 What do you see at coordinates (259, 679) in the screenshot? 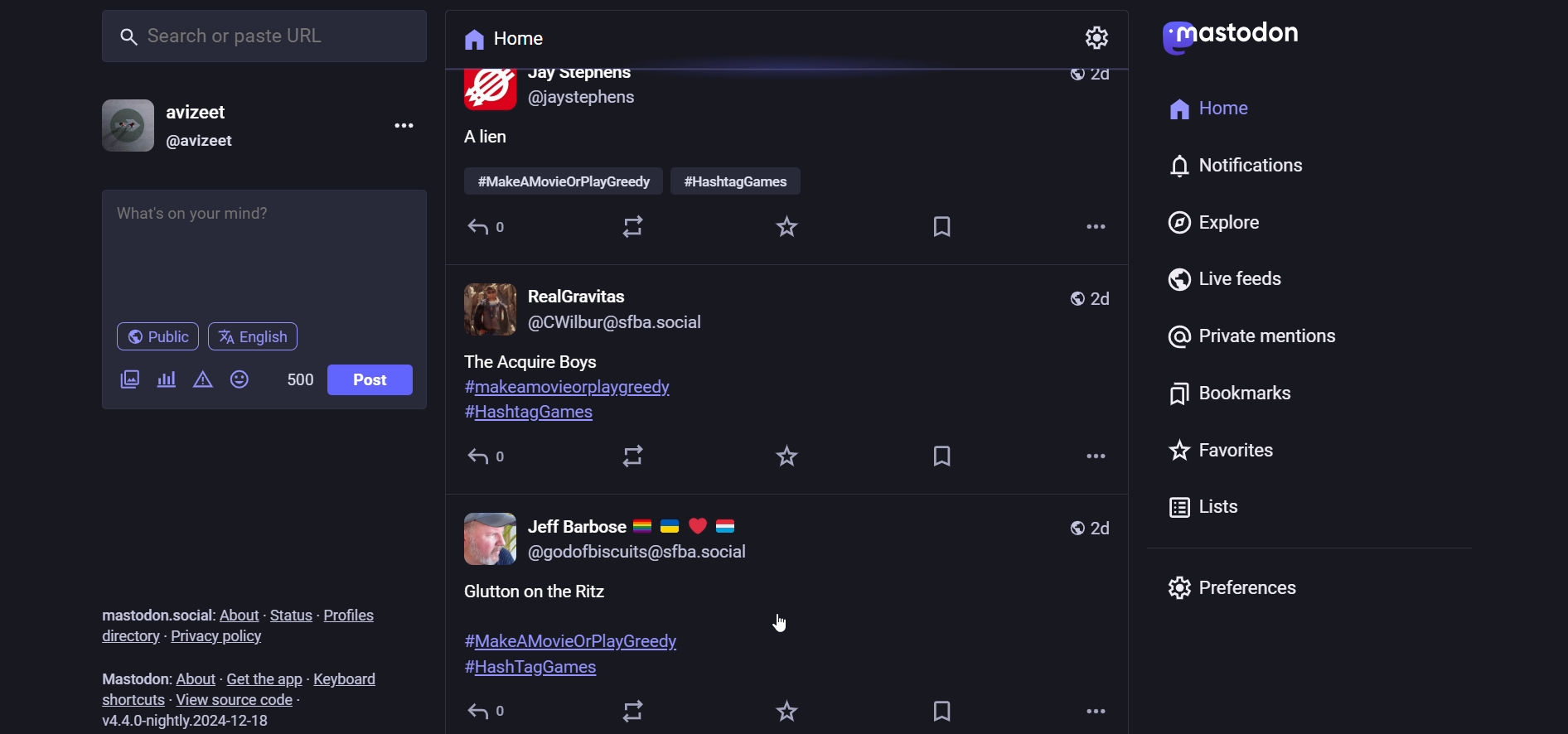
I see `get the app` at bounding box center [259, 679].